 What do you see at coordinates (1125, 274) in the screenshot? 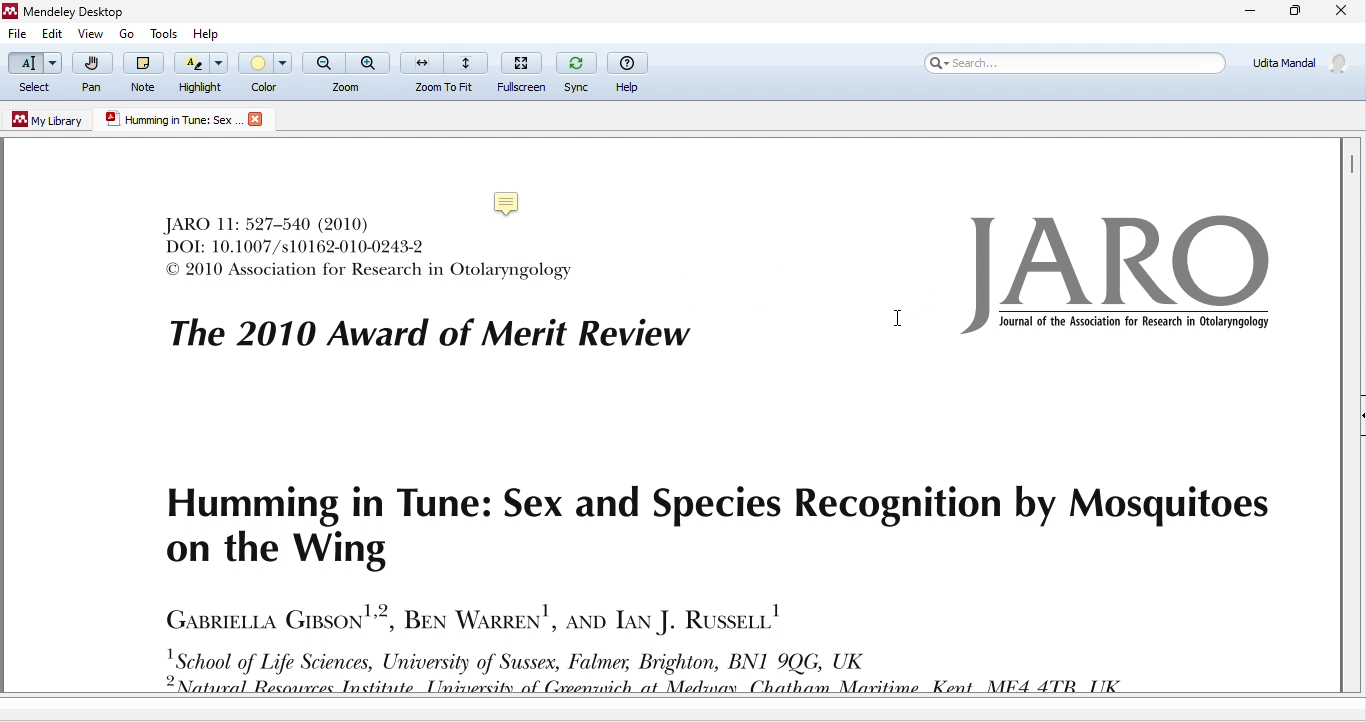
I see `logo` at bounding box center [1125, 274].